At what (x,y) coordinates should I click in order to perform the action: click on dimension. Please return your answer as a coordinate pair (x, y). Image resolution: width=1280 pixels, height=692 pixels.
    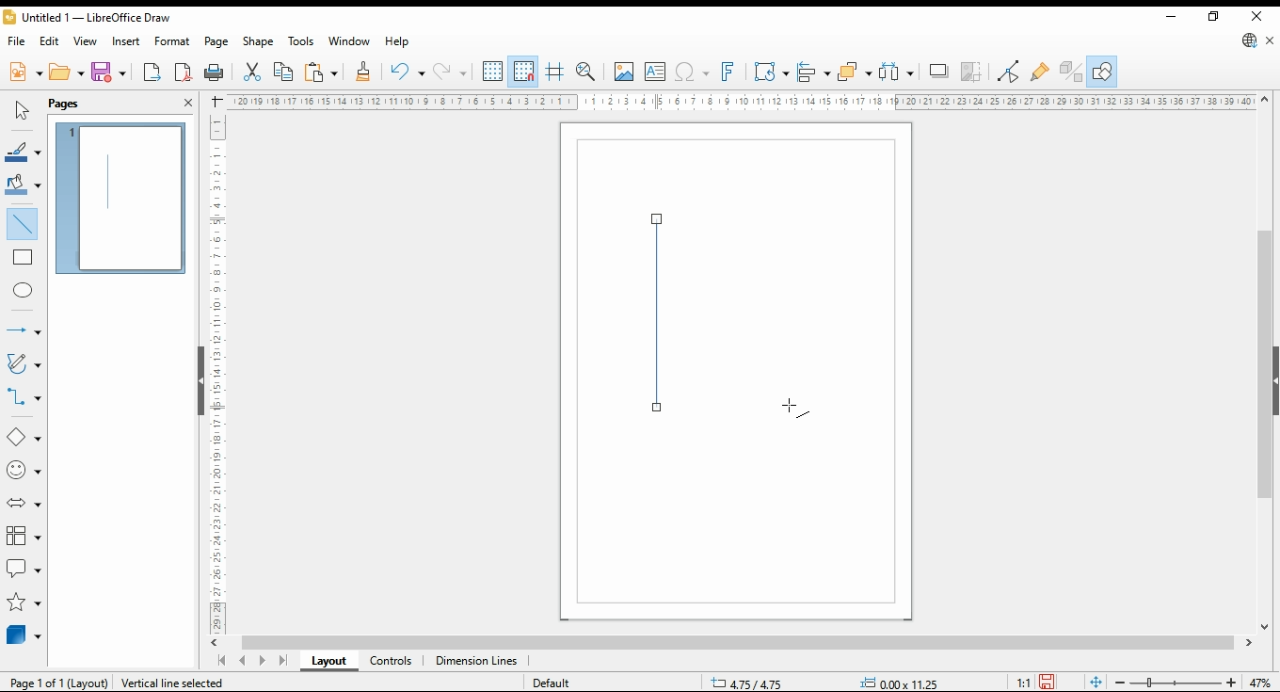
    Looking at the image, I should click on (477, 662).